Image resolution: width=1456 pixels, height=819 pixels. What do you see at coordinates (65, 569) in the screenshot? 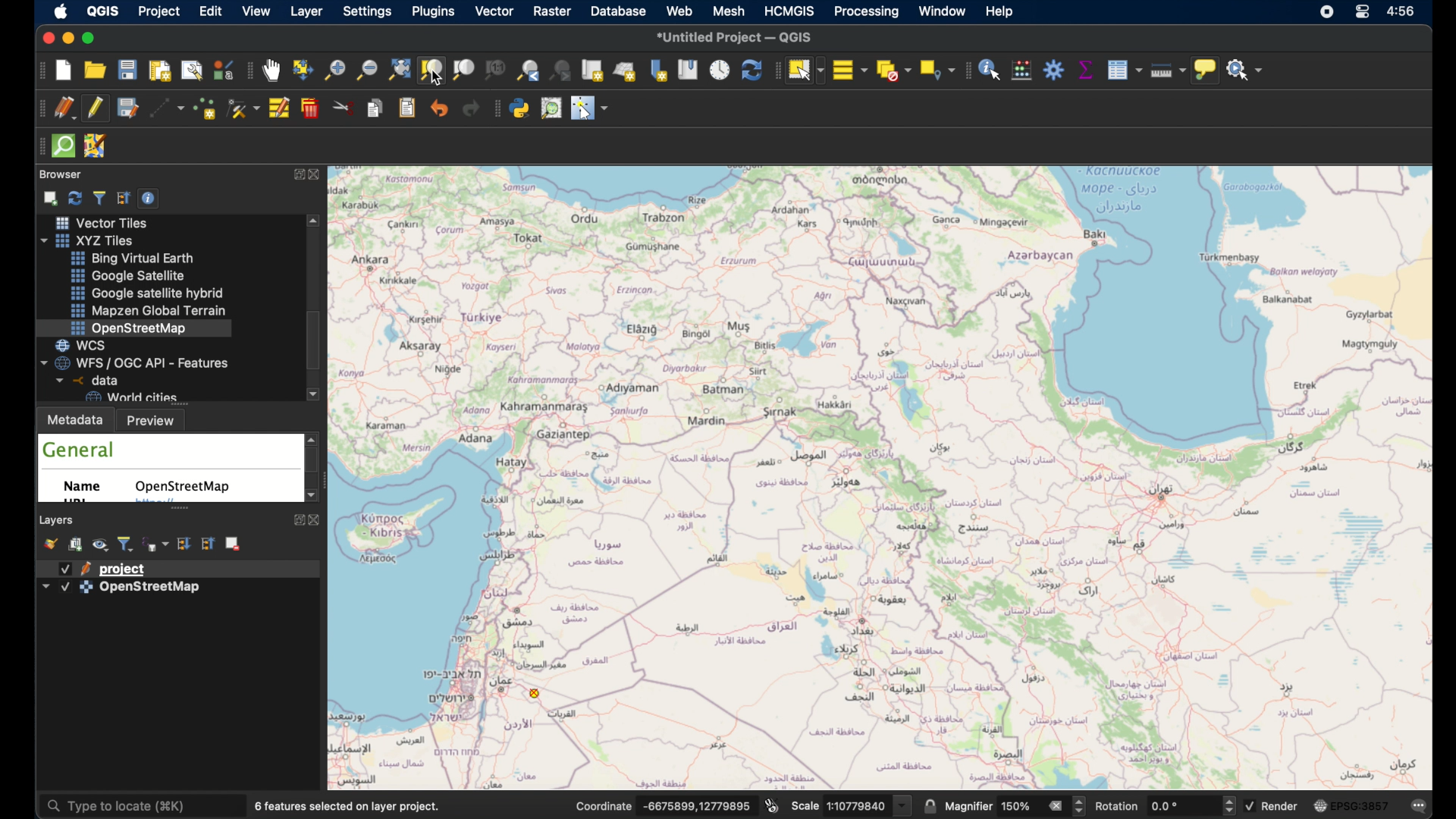
I see `checkbox` at bounding box center [65, 569].